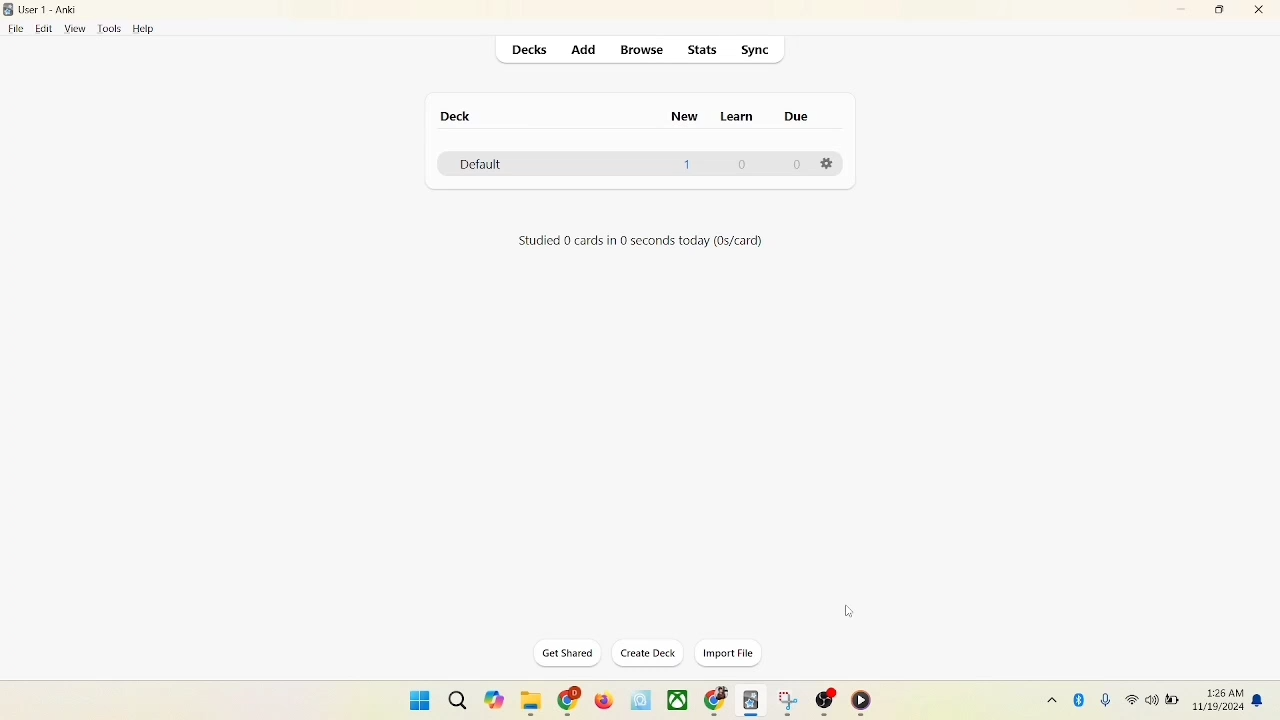 The image size is (1280, 720). I want to click on import file, so click(726, 656).